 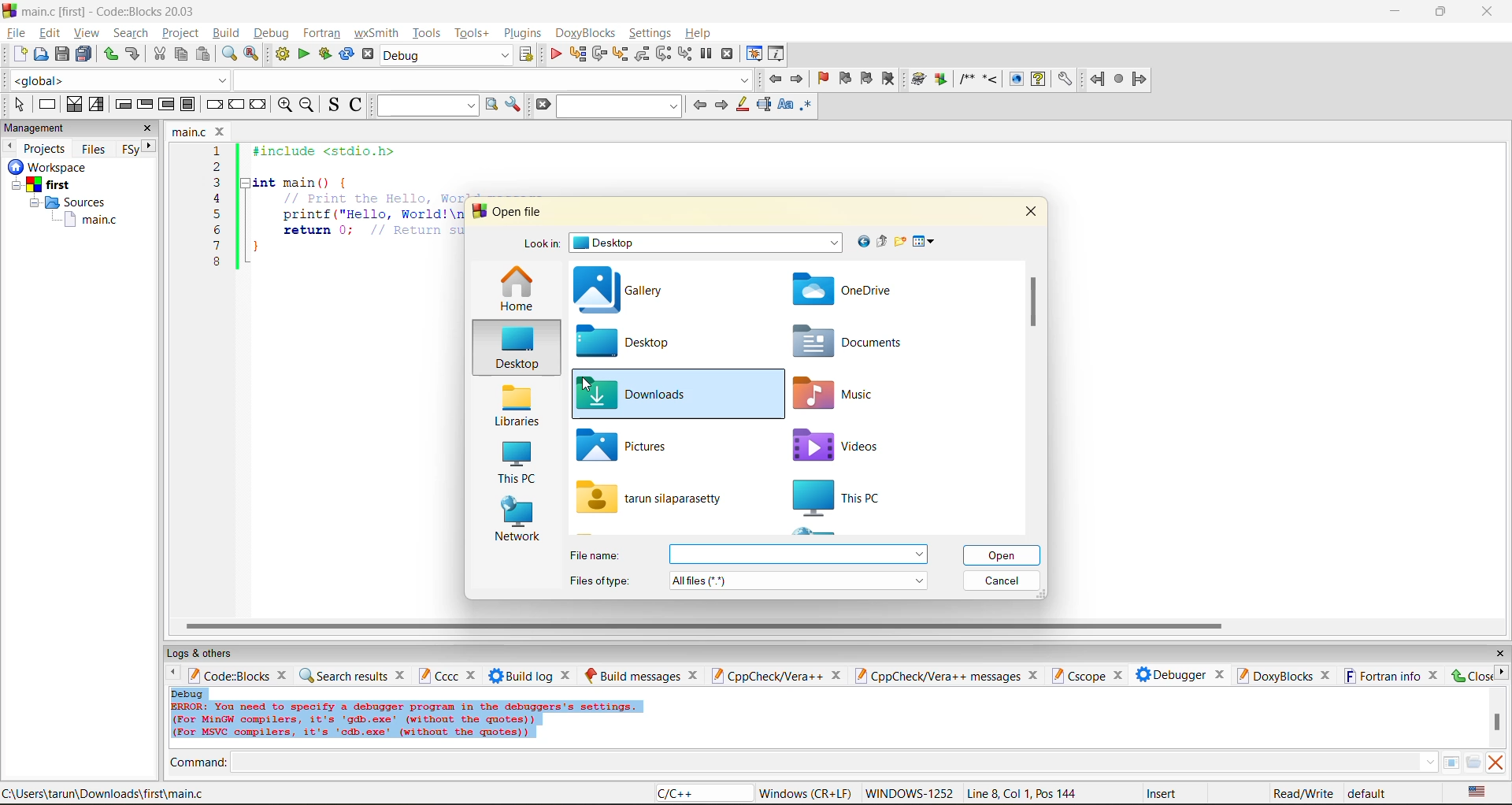 I want to click on this pc, so click(x=860, y=499).